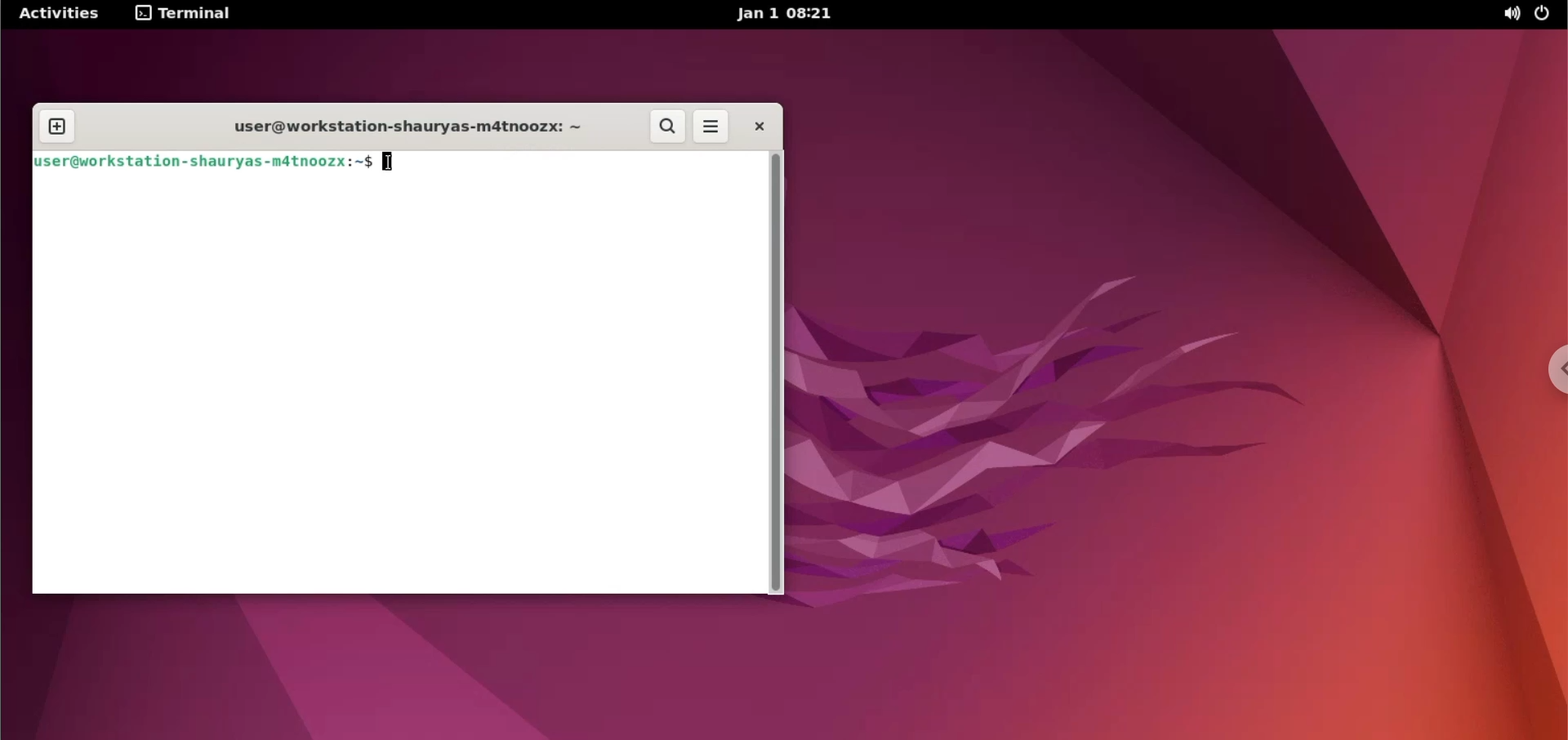  I want to click on chrome options, so click(1545, 368).